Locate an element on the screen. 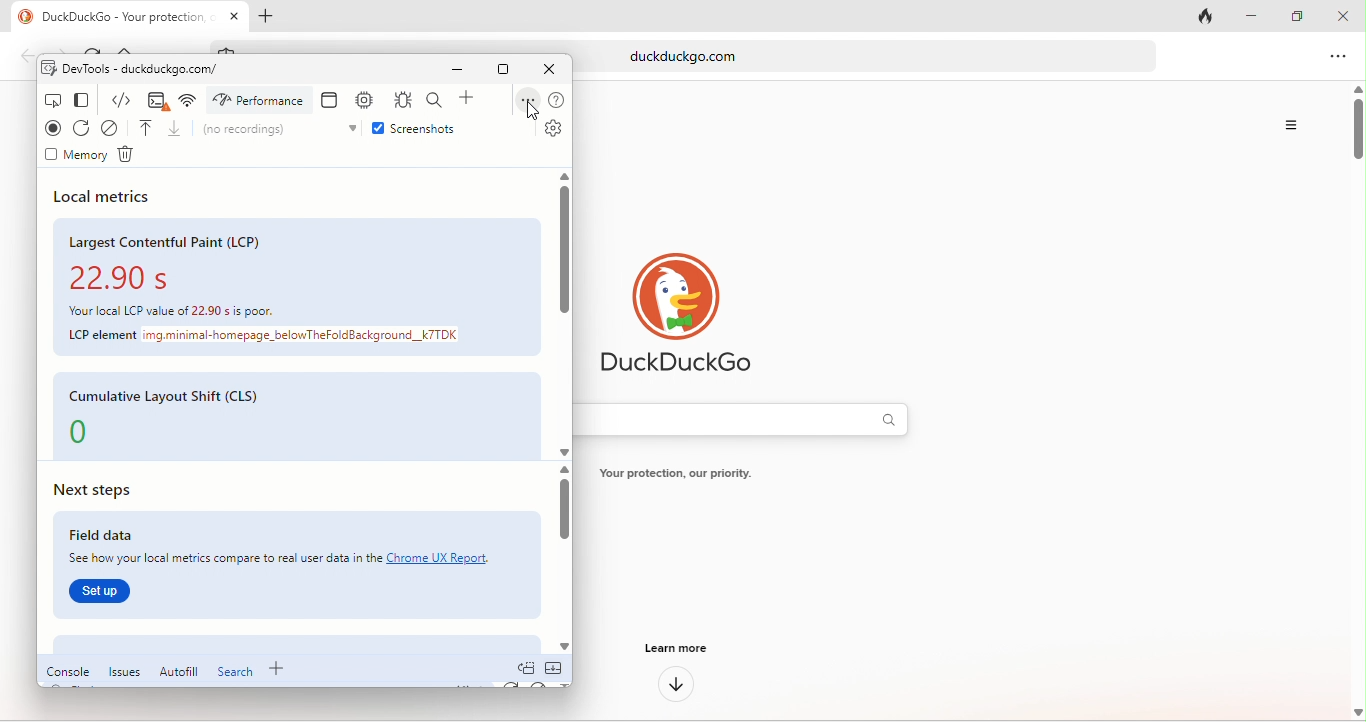 The height and width of the screenshot is (722, 1366). cursor movement is located at coordinates (527, 111).